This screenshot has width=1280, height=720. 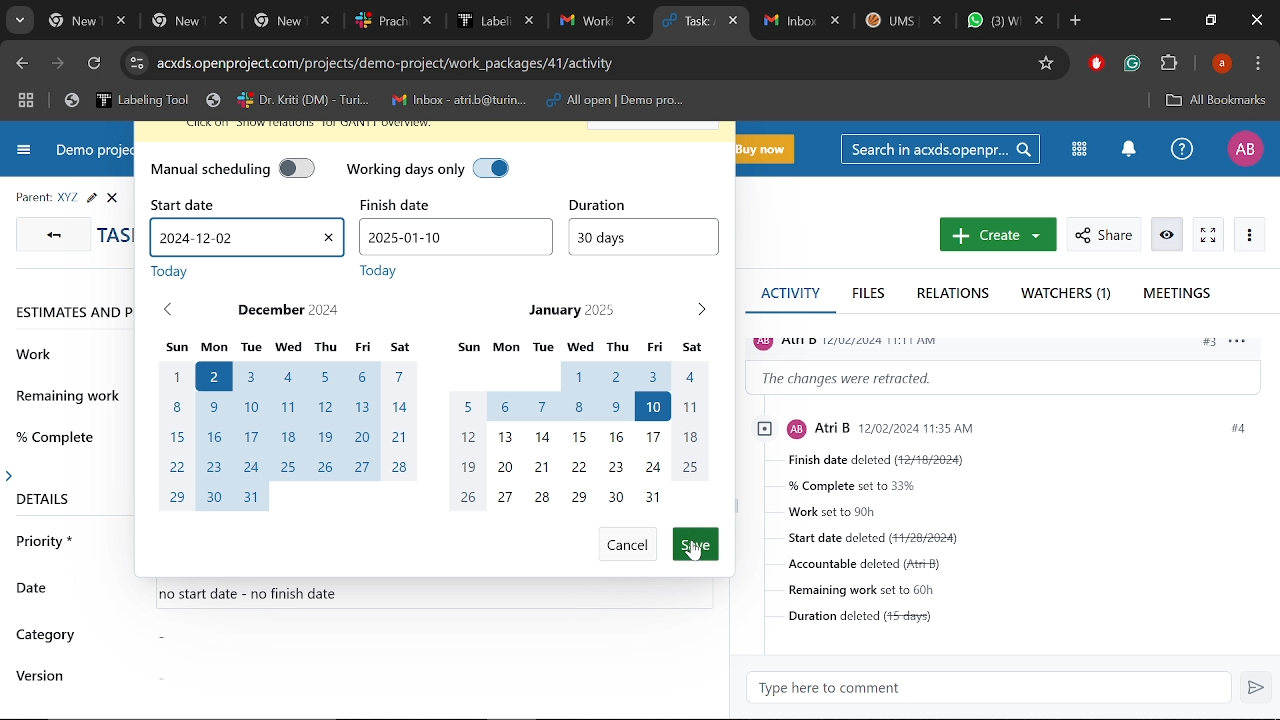 What do you see at coordinates (1260, 64) in the screenshot?
I see `Control and customize chrome` at bounding box center [1260, 64].